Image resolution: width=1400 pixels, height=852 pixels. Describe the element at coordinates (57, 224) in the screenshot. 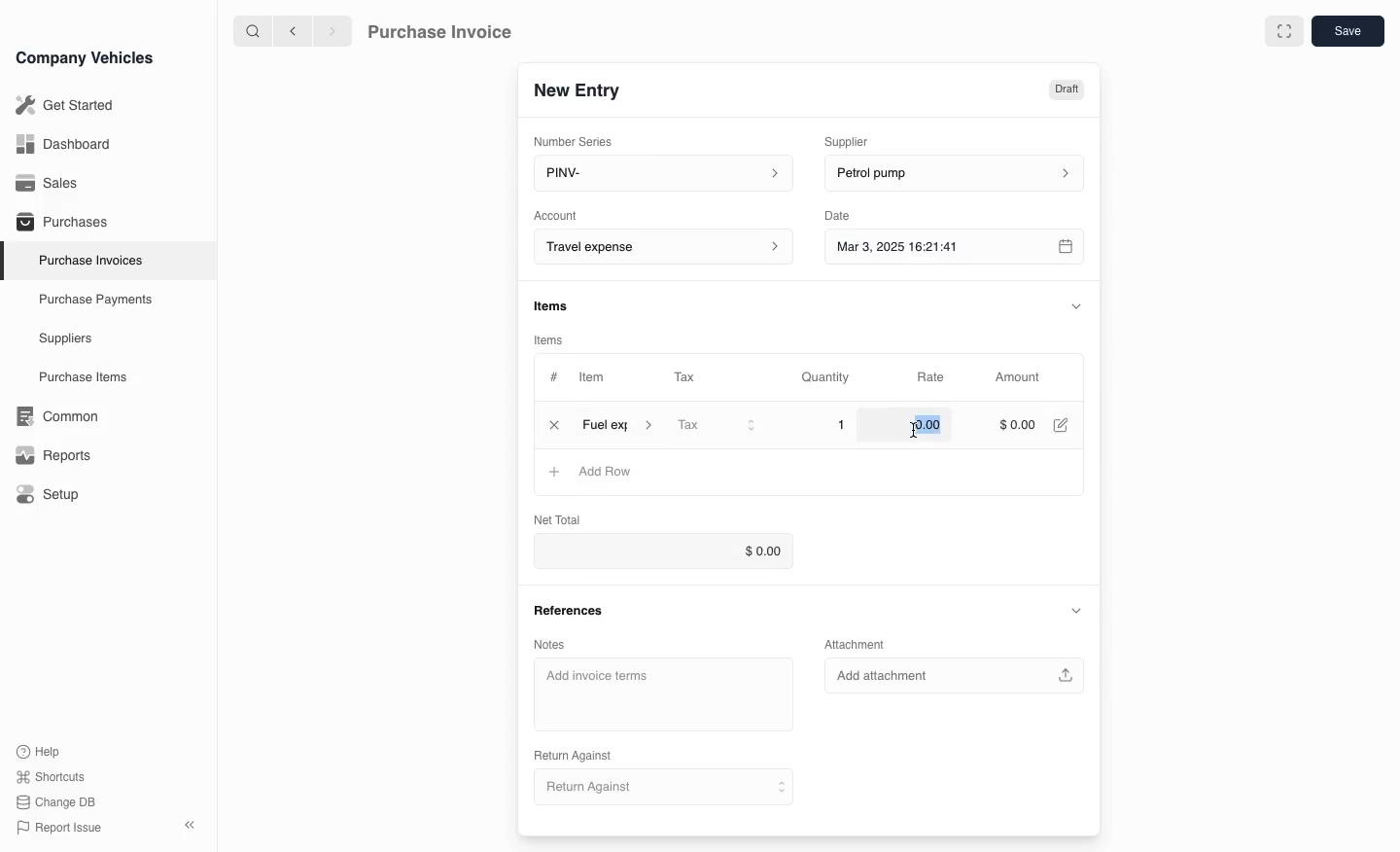

I see `Purchases` at that location.